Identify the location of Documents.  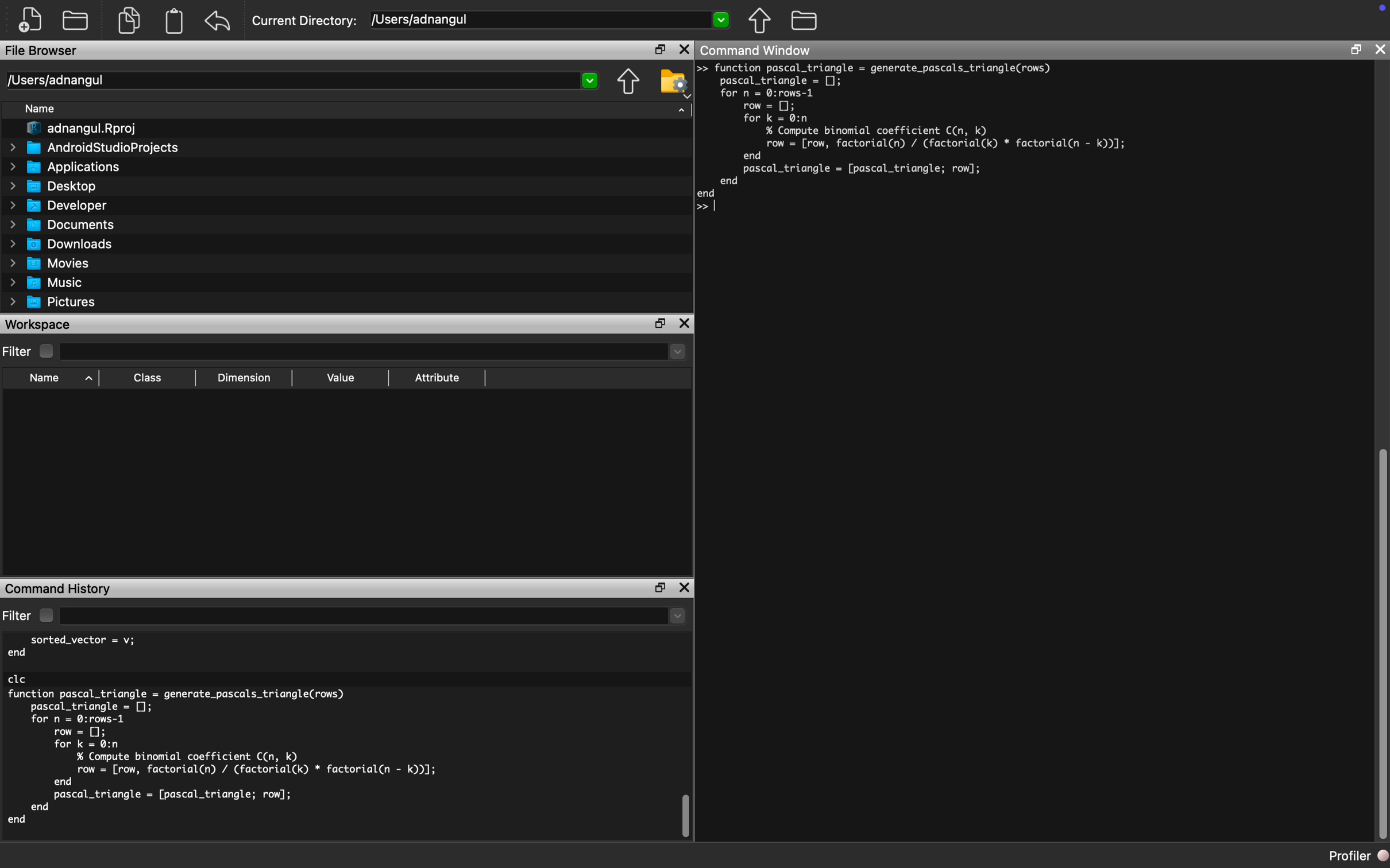
(63, 226).